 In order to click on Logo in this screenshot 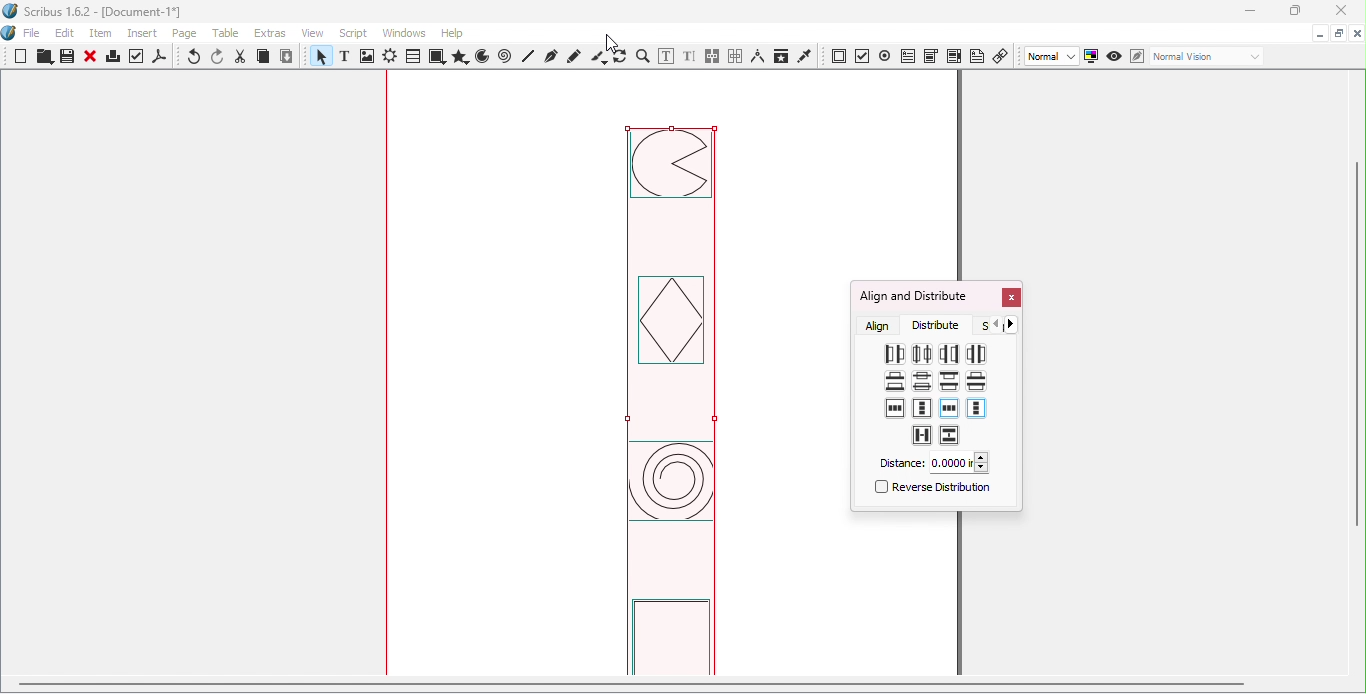, I will do `click(10, 34)`.